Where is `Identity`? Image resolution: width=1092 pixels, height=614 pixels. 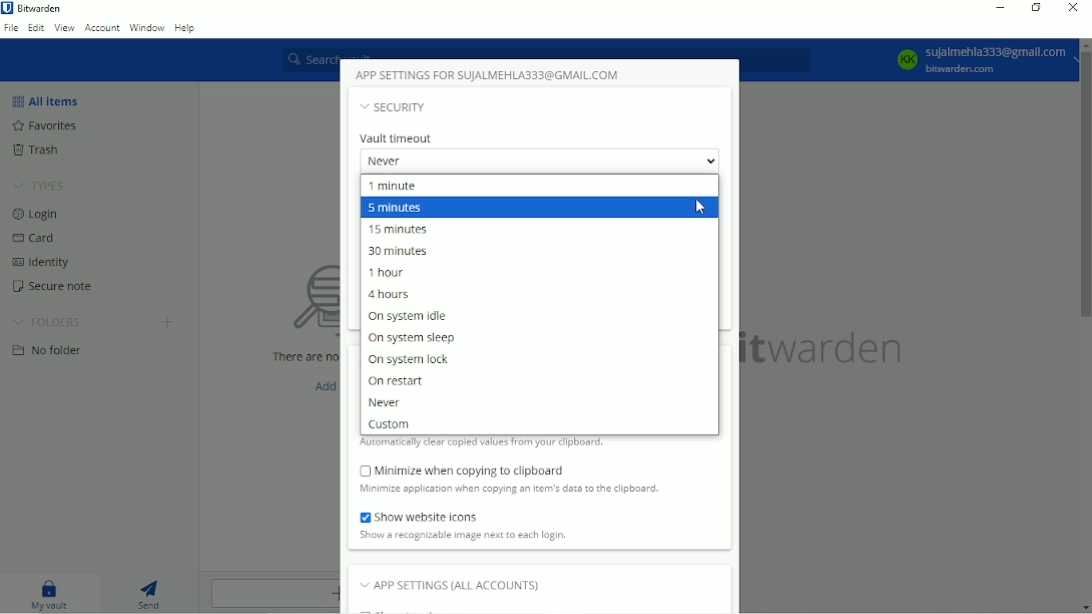
Identity is located at coordinates (43, 263).